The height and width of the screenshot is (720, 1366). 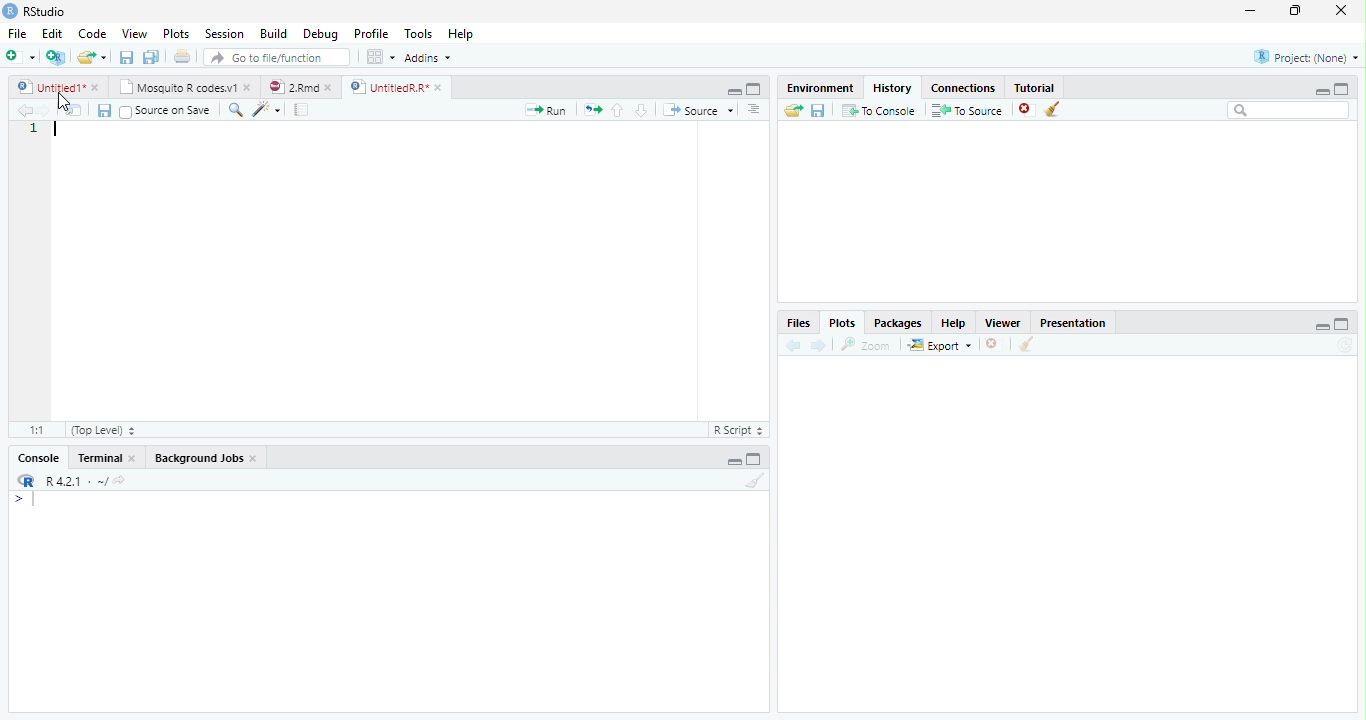 What do you see at coordinates (134, 32) in the screenshot?
I see `View` at bounding box center [134, 32].